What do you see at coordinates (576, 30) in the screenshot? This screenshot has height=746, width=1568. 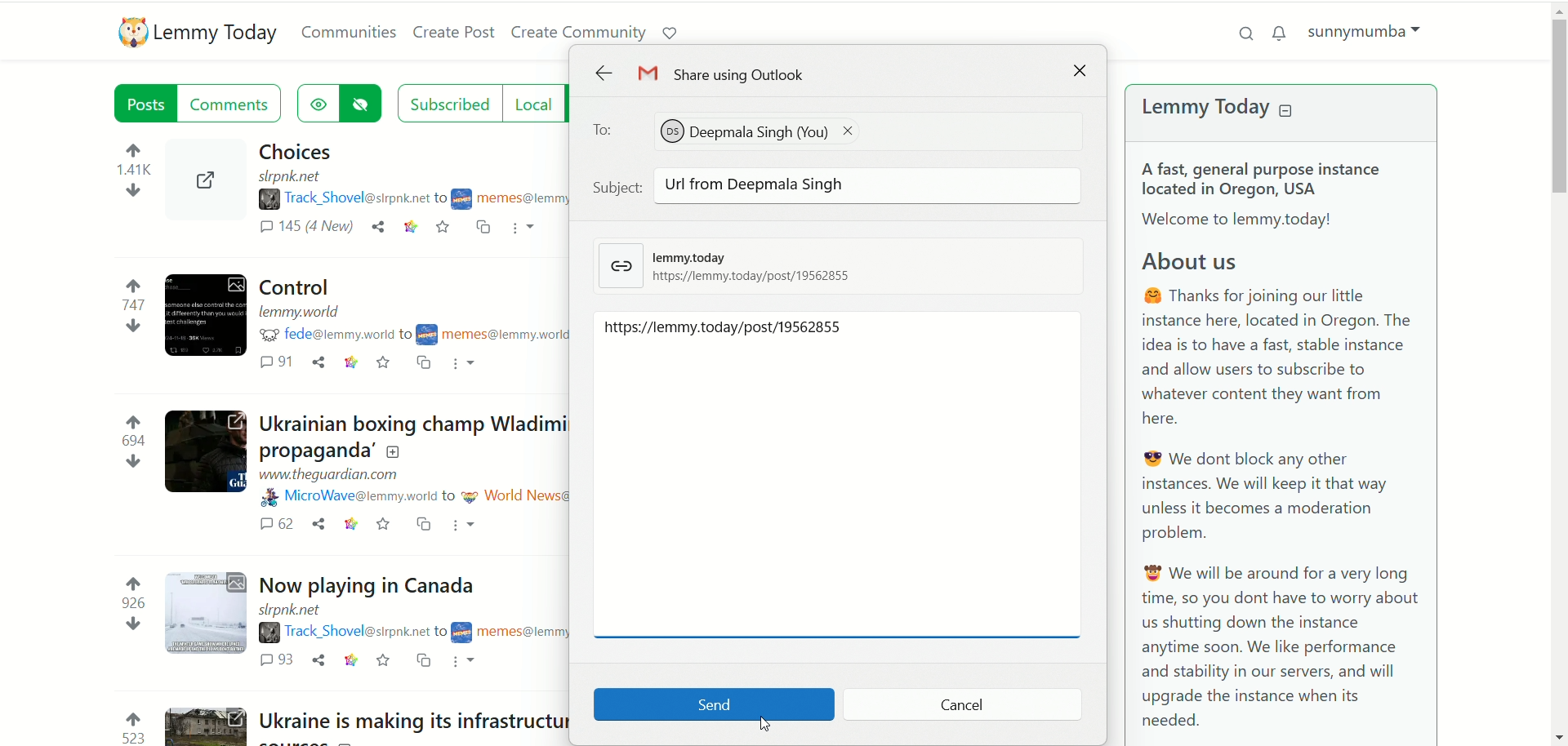 I see `create community` at bounding box center [576, 30].